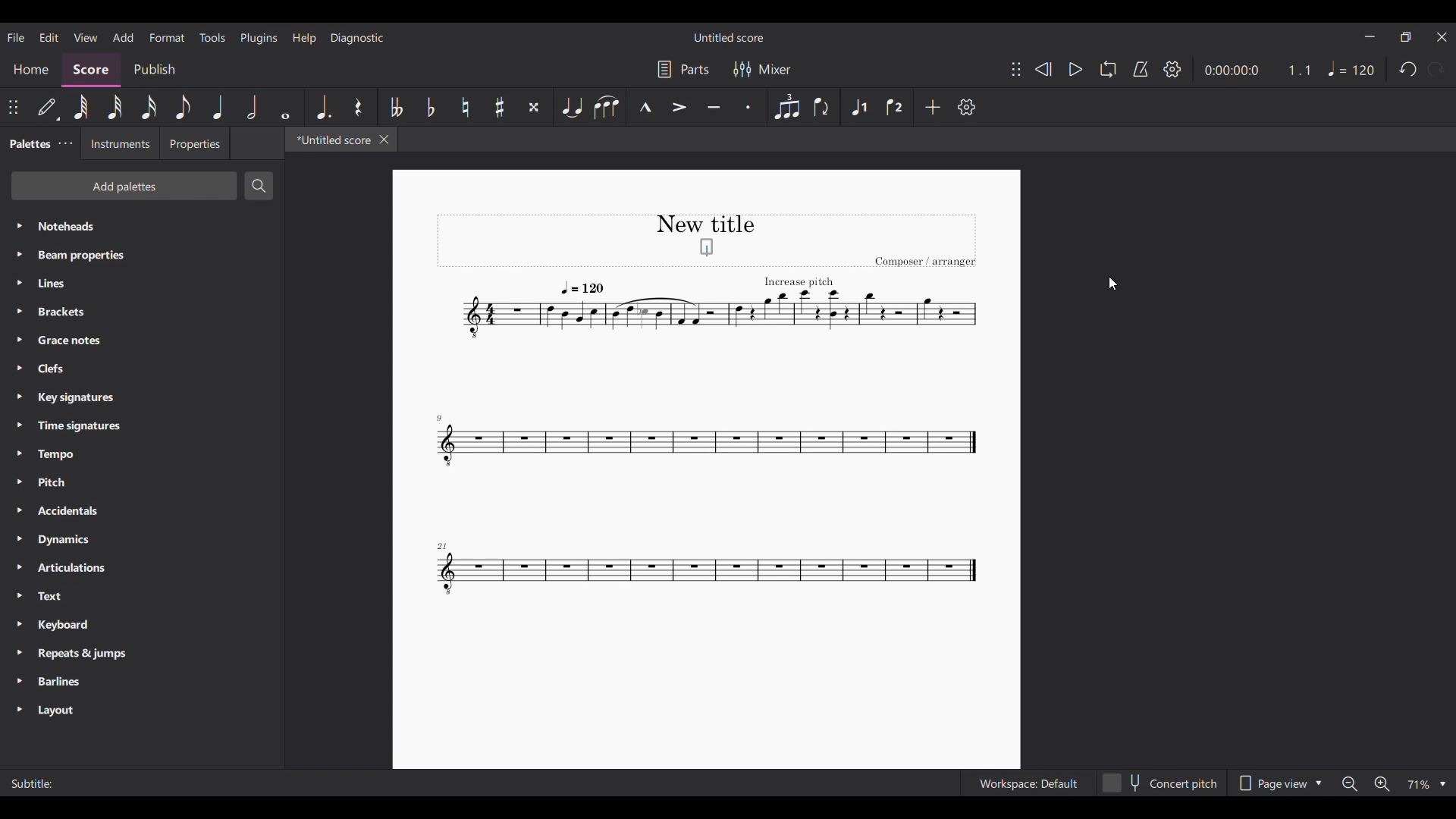  I want to click on Tempo, so click(1351, 68).